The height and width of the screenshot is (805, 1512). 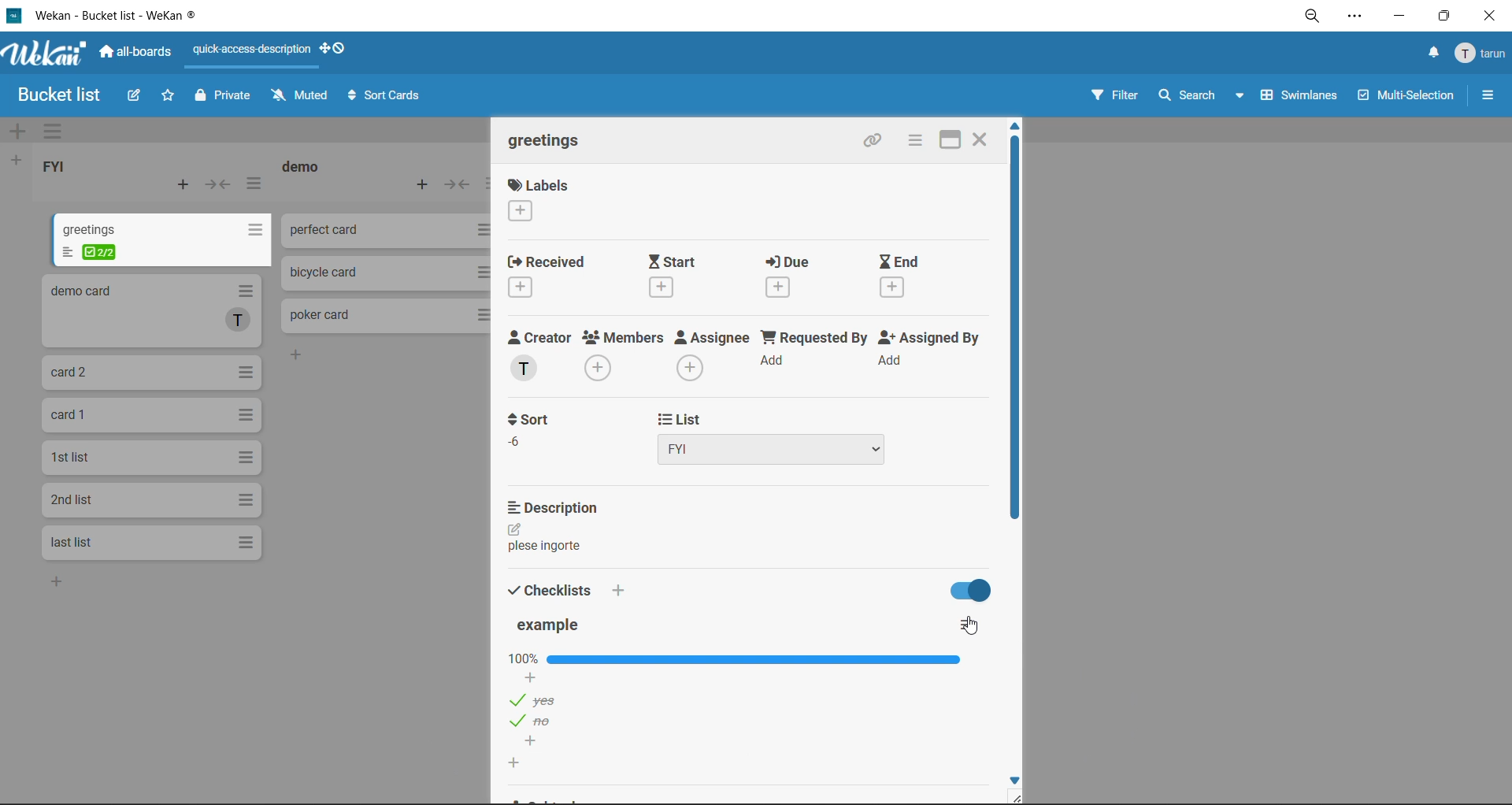 What do you see at coordinates (303, 168) in the screenshot?
I see `list title` at bounding box center [303, 168].